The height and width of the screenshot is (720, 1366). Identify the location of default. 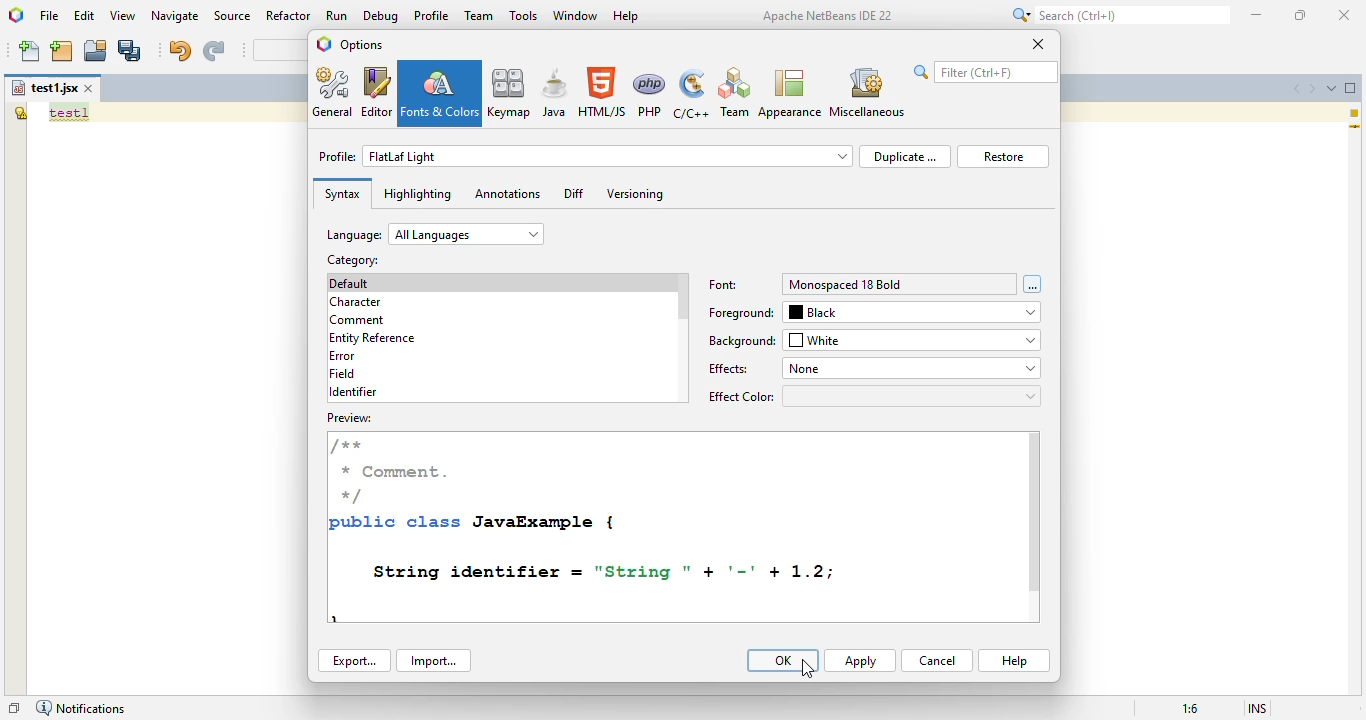
(353, 283).